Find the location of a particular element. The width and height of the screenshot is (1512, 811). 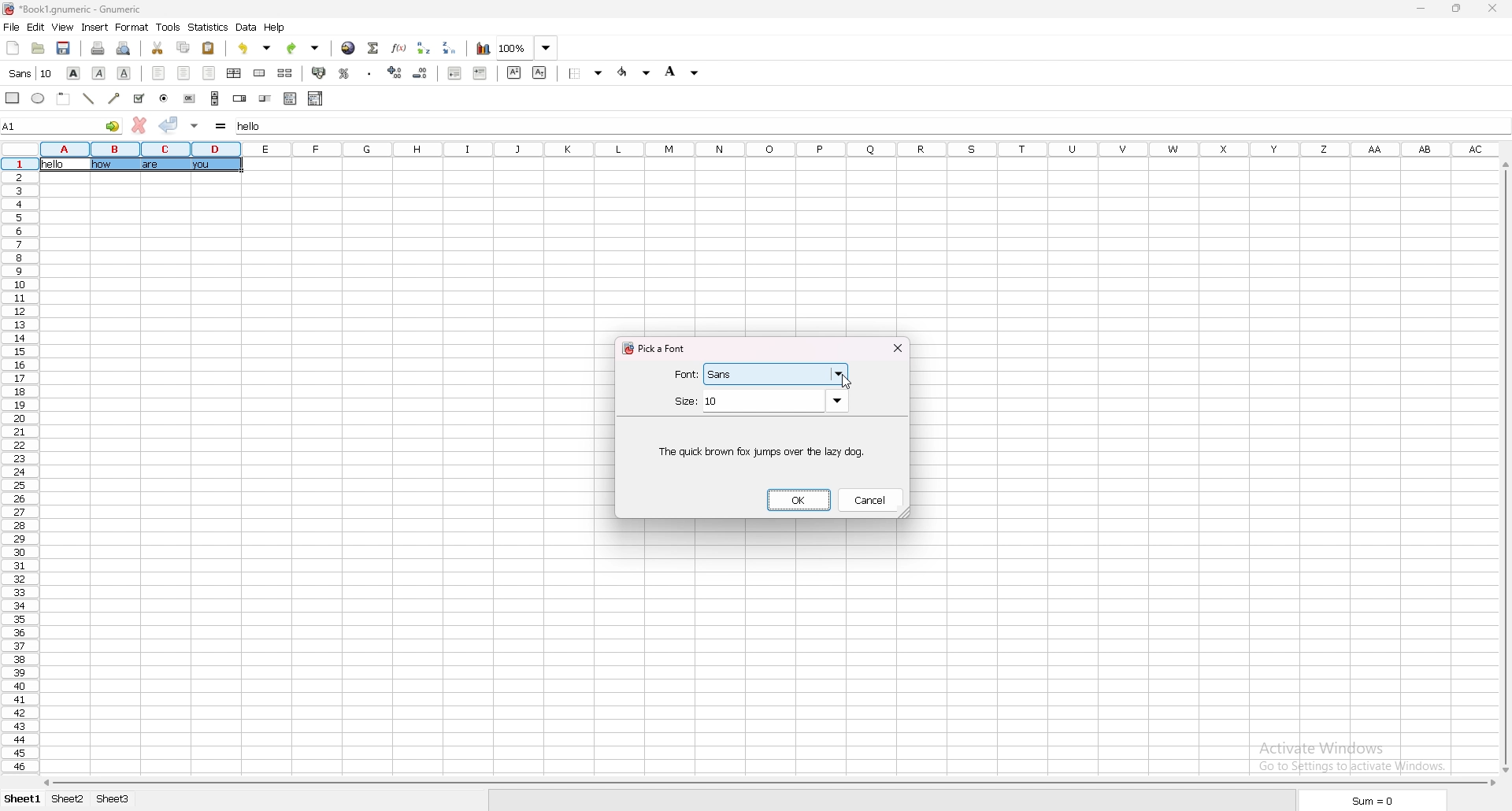

selected cell is located at coordinates (65, 165).